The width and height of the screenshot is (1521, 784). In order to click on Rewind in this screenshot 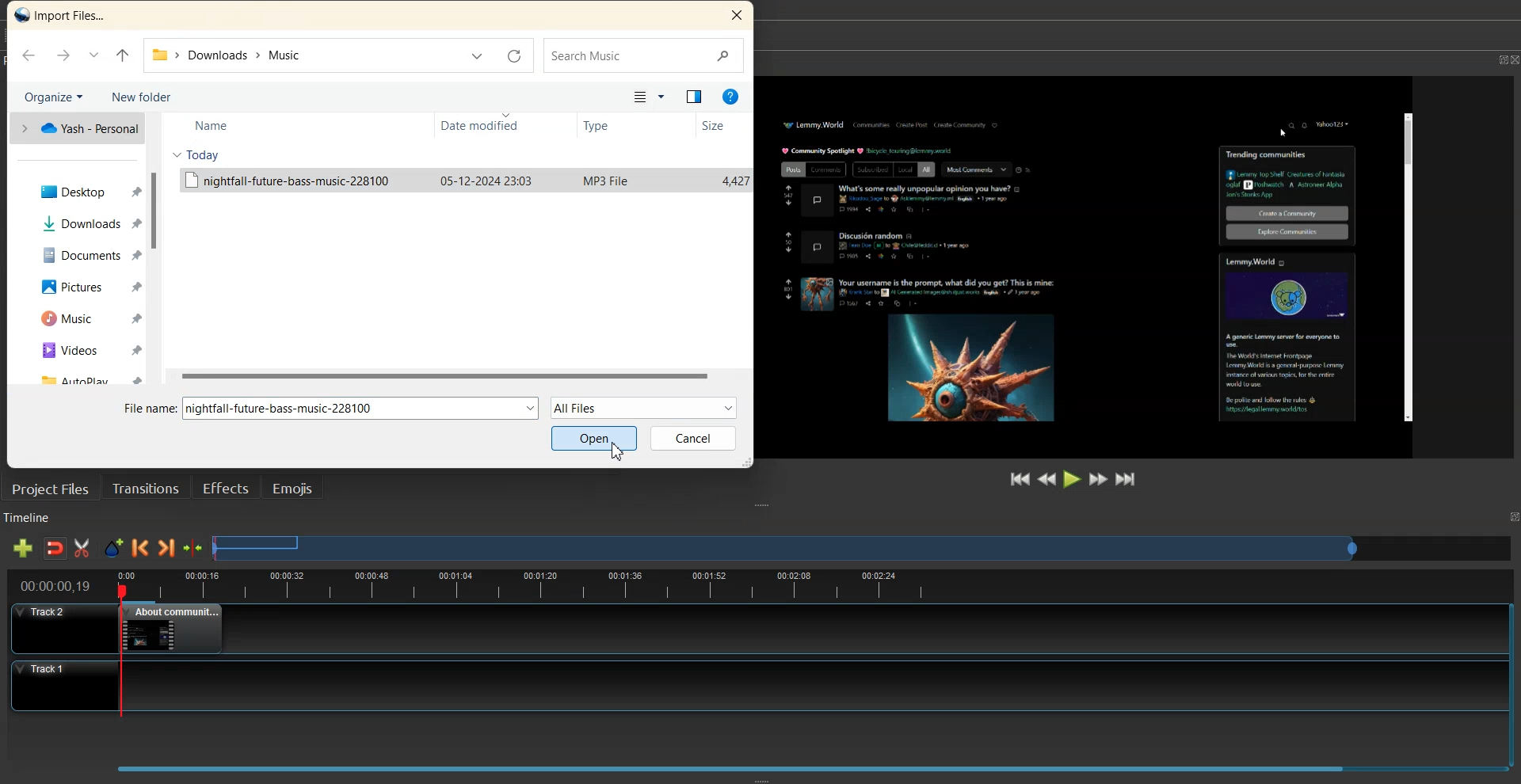, I will do `click(1047, 478)`.